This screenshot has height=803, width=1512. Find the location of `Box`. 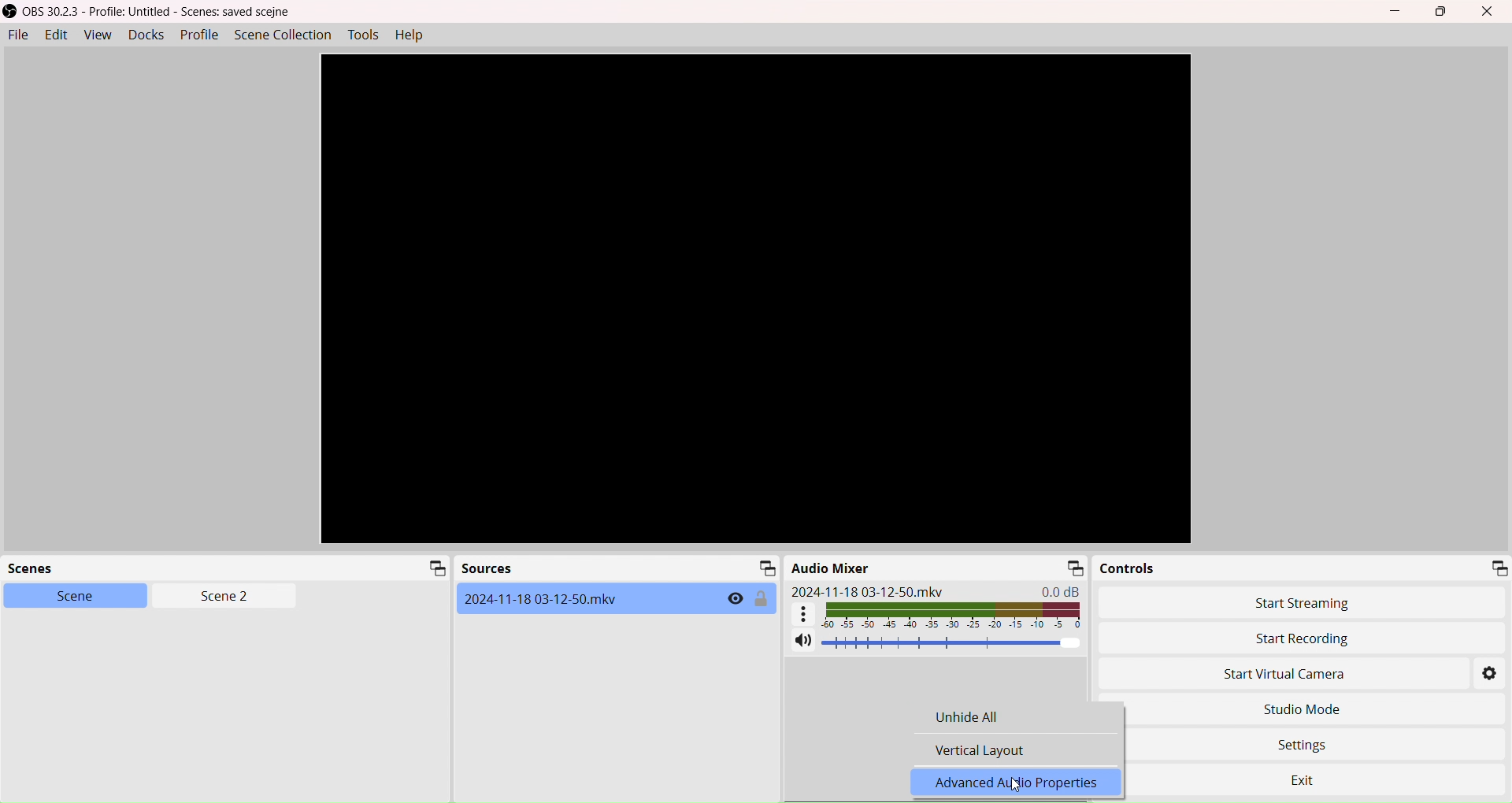

Box is located at coordinates (1444, 12).